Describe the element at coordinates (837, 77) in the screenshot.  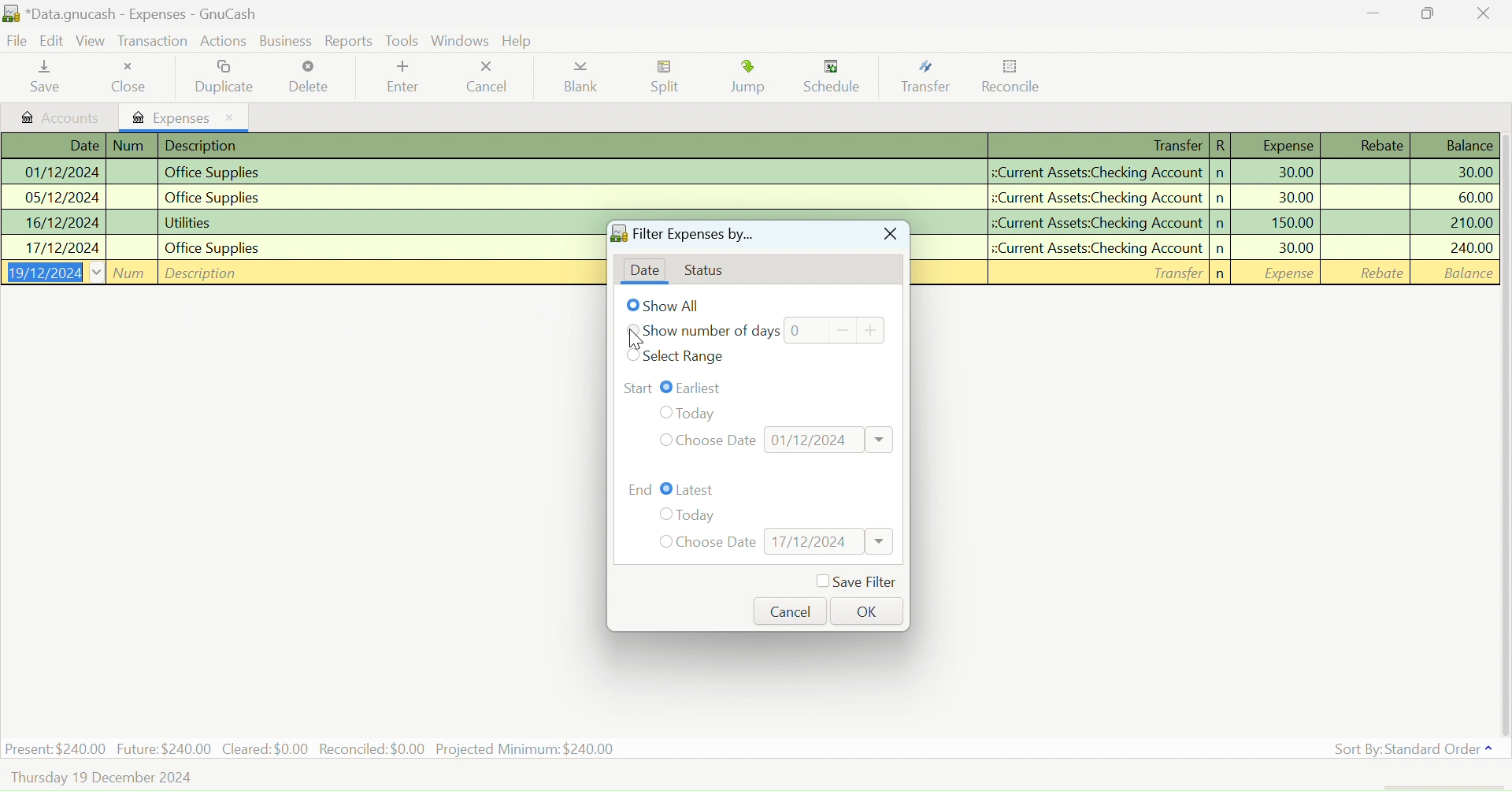
I see `Schedule` at that location.